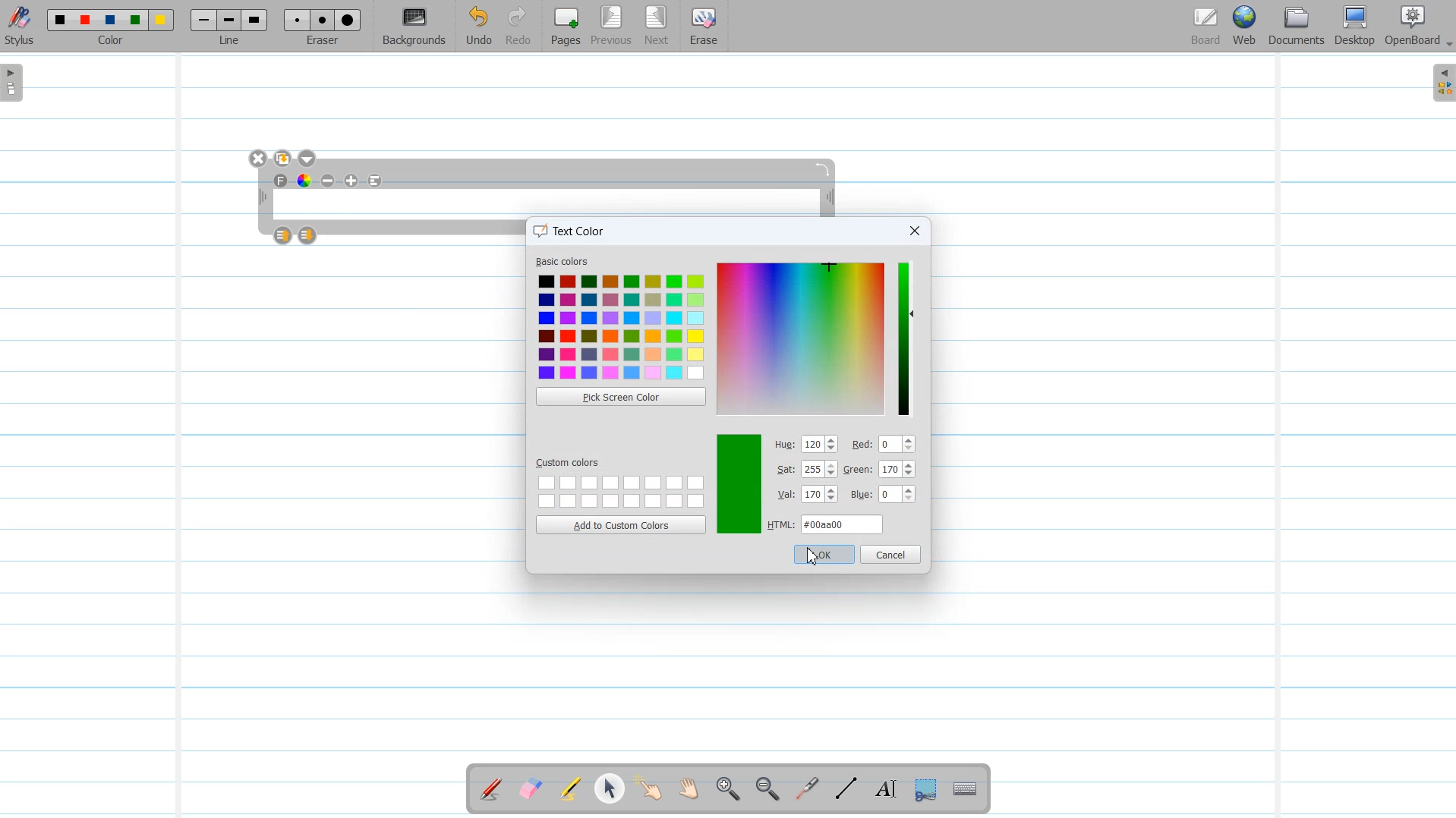  What do you see at coordinates (620, 524) in the screenshot?
I see `Add to custom colors` at bounding box center [620, 524].